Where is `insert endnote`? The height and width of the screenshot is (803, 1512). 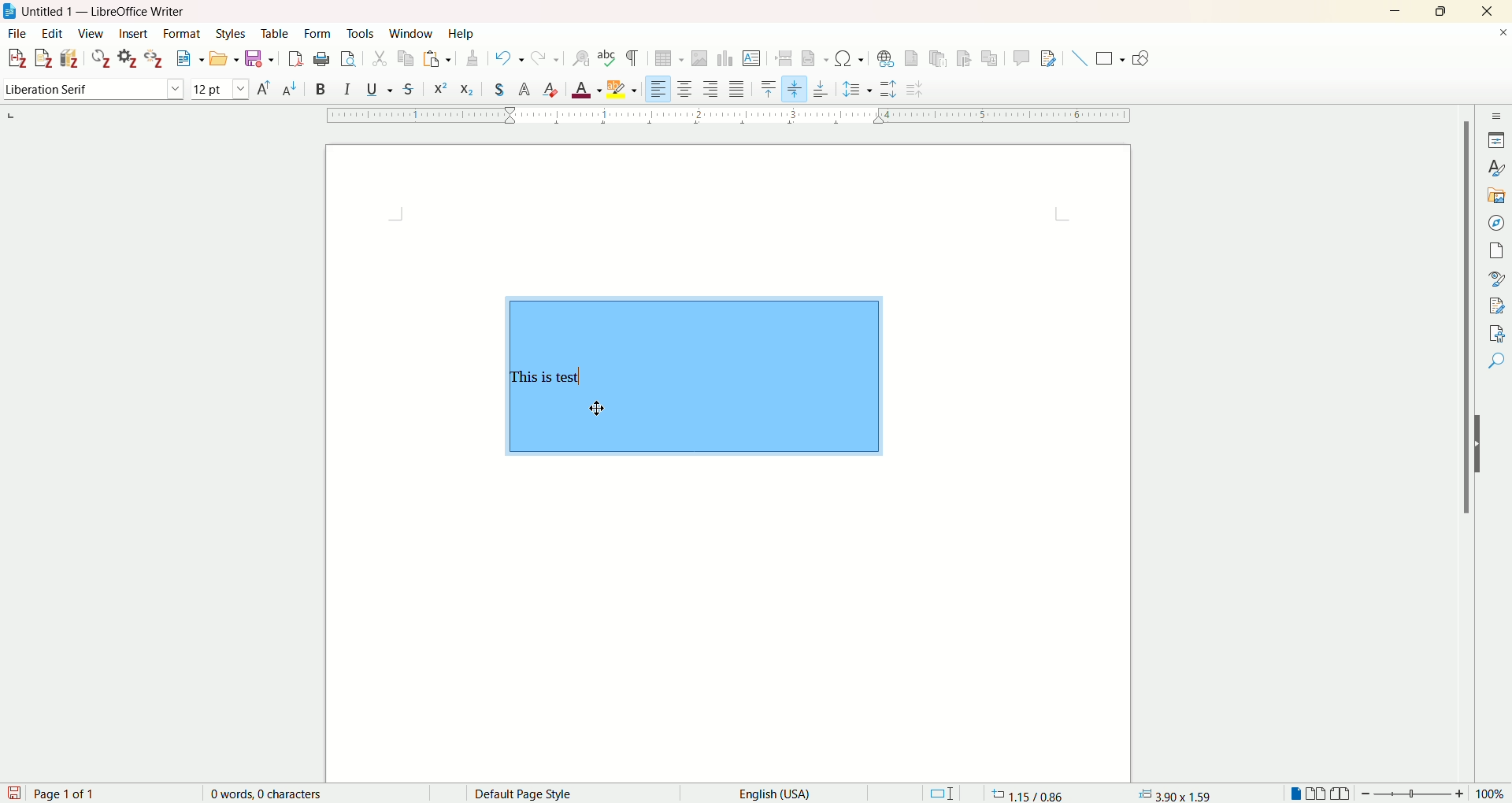
insert endnote is located at coordinates (938, 59).